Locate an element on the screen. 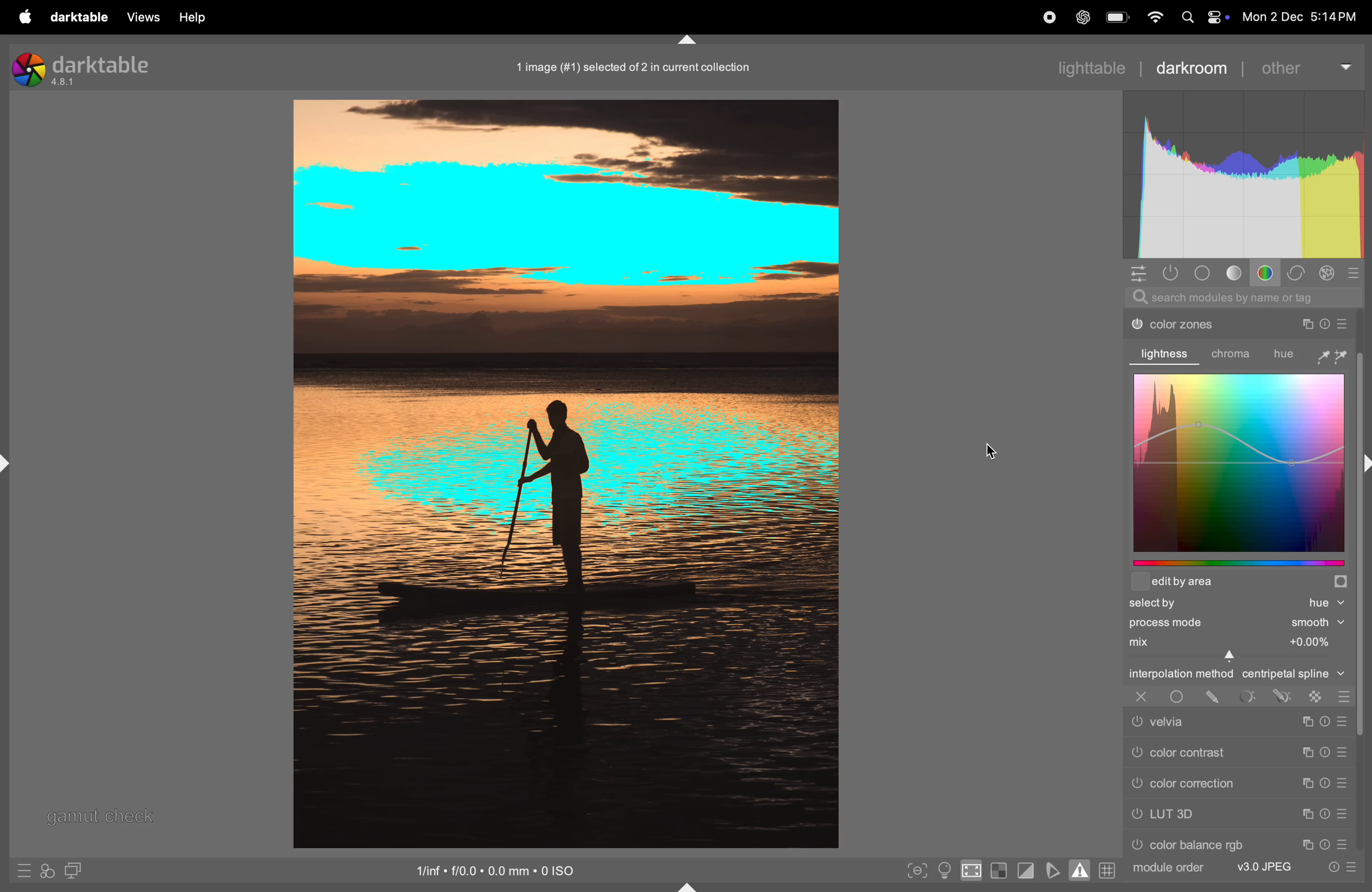 The height and width of the screenshot is (892, 1372).  is located at coordinates (1234, 272).